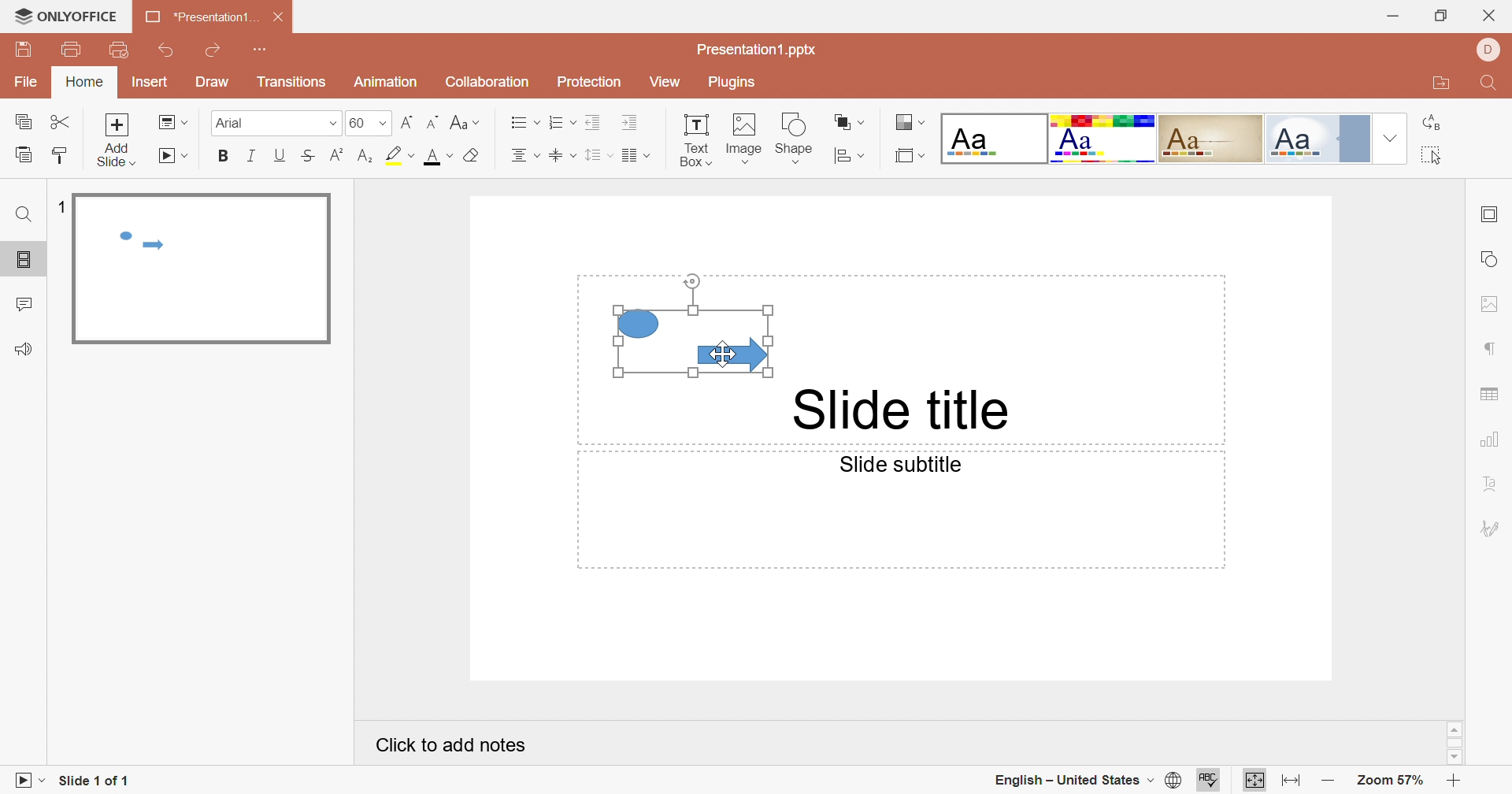 The image size is (1512, 794). I want to click on Spell Checking, so click(1211, 782).